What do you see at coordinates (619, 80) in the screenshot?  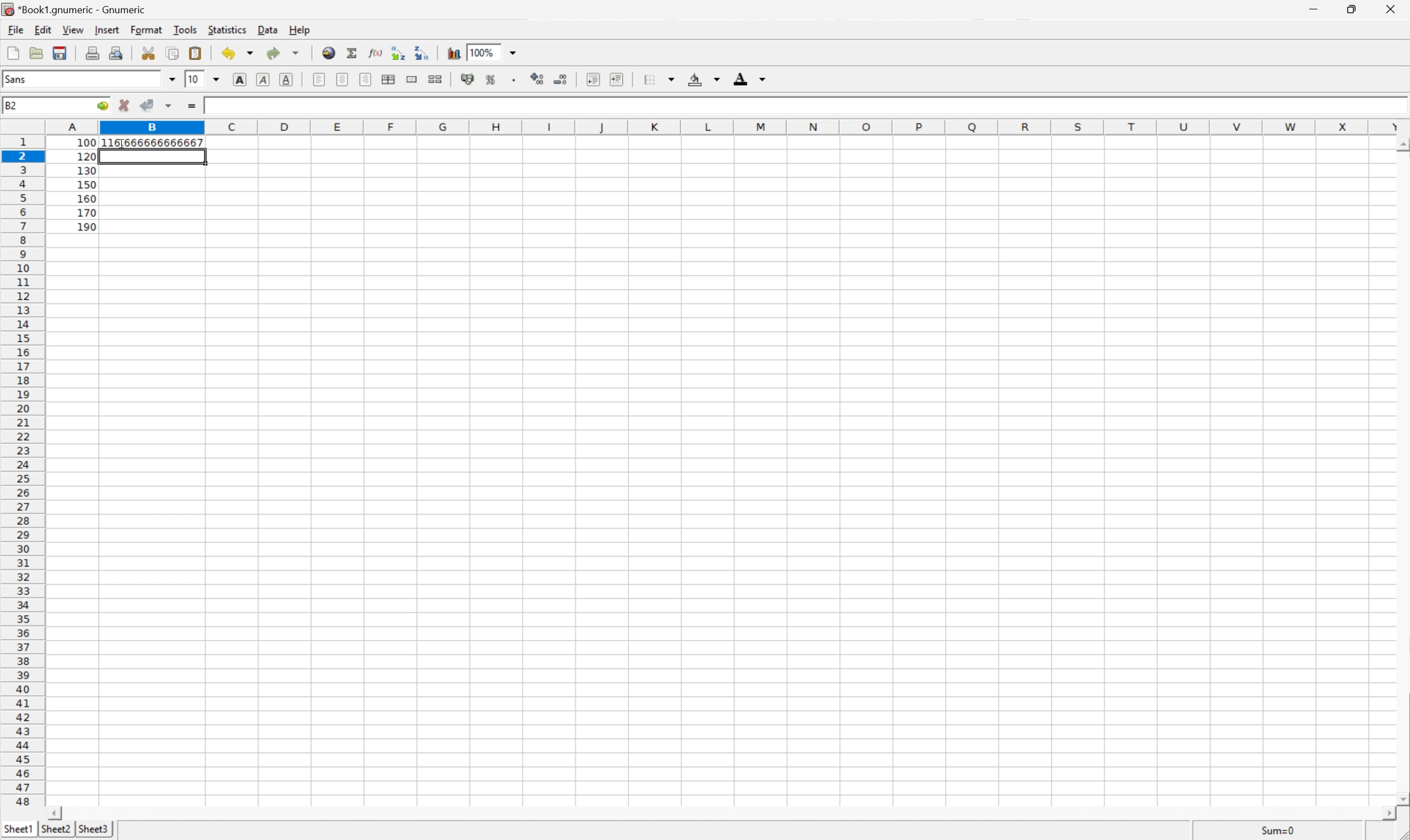 I see `Increase indent, and align the contents to the left` at bounding box center [619, 80].